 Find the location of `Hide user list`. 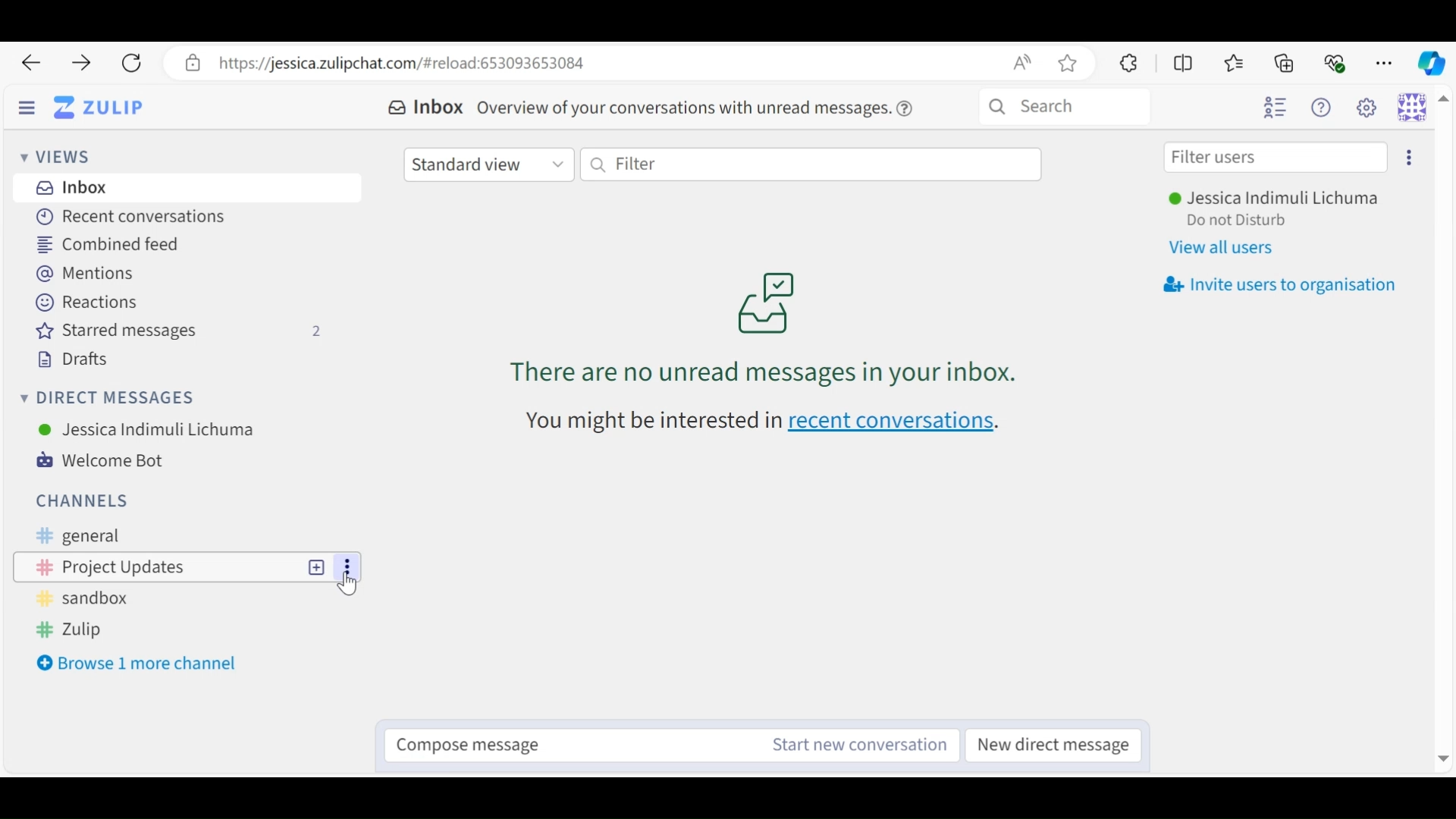

Hide user list is located at coordinates (1275, 108).